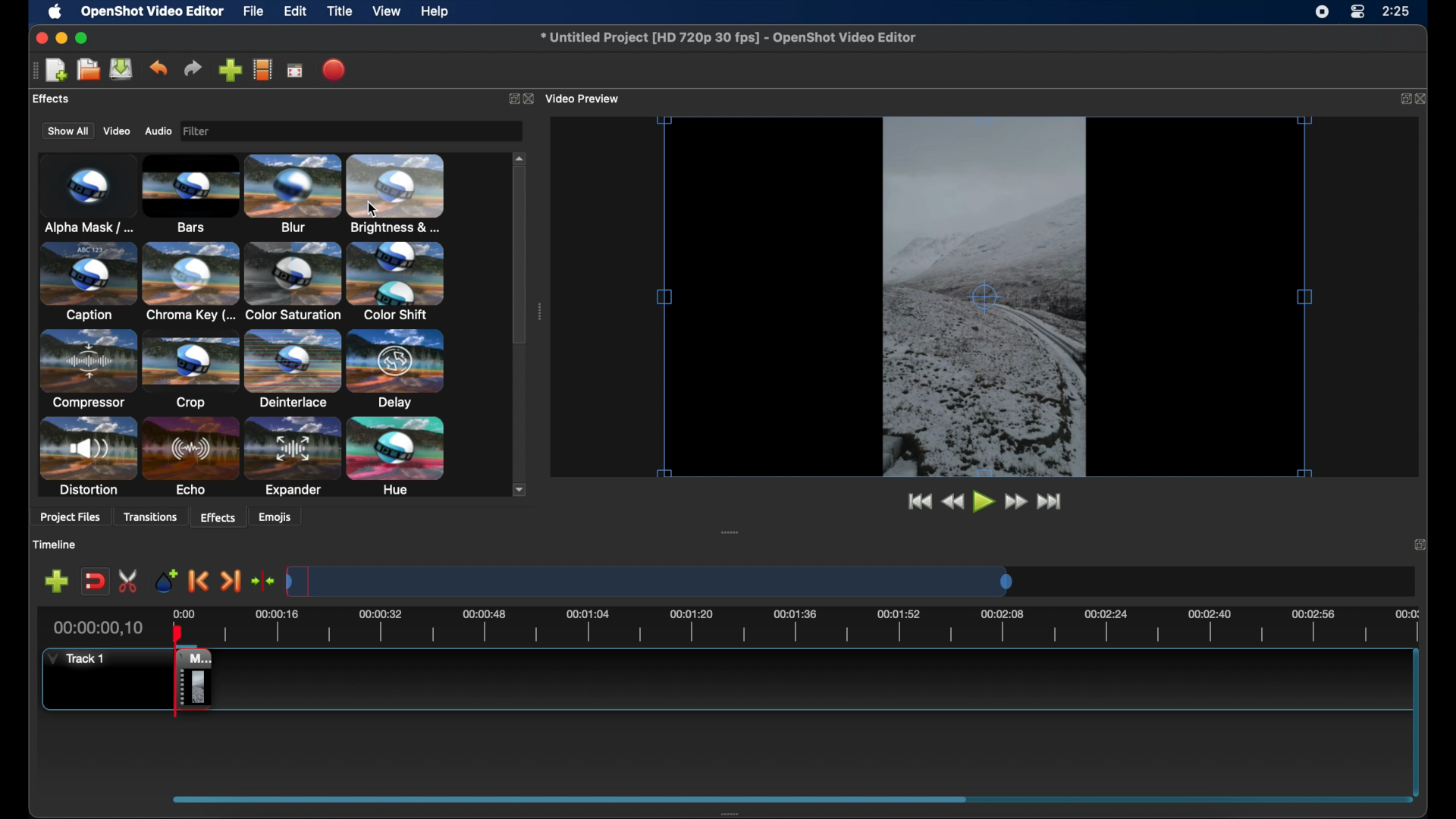  I want to click on drag handle, so click(541, 312).